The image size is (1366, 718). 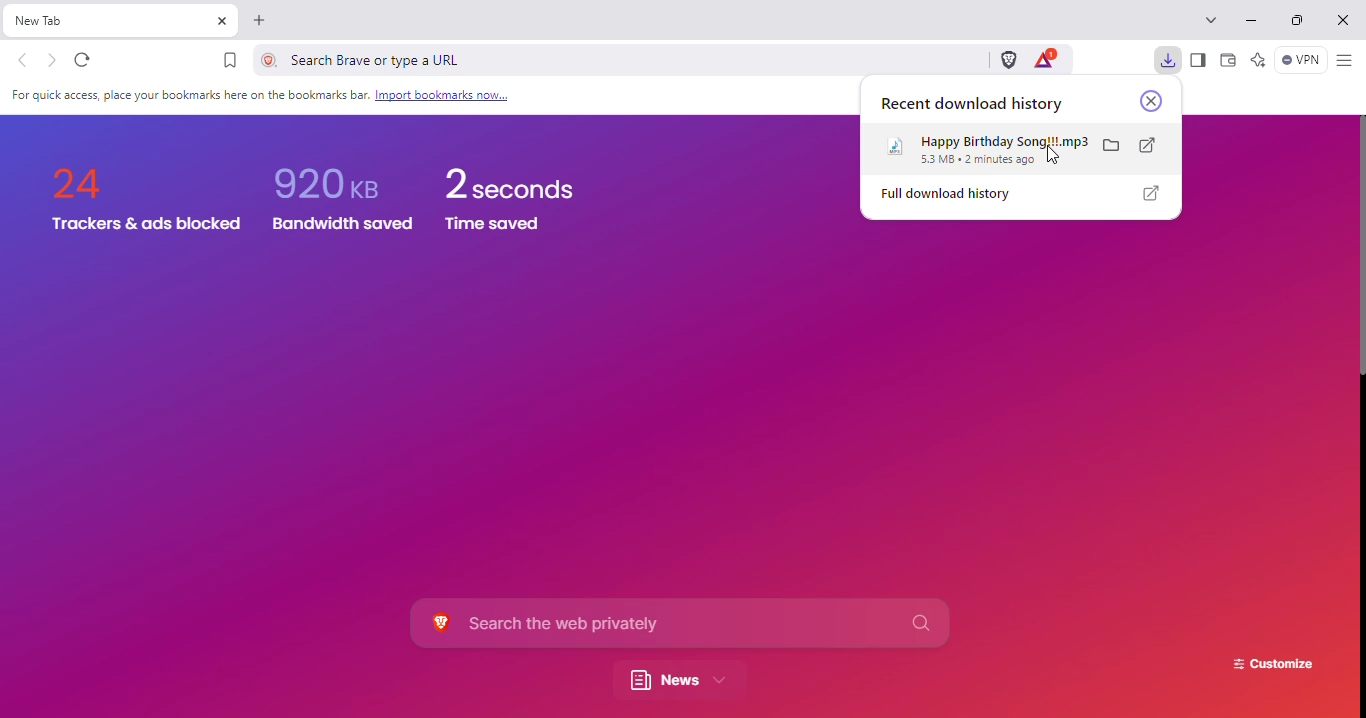 I want to click on close, so click(x=1152, y=101).